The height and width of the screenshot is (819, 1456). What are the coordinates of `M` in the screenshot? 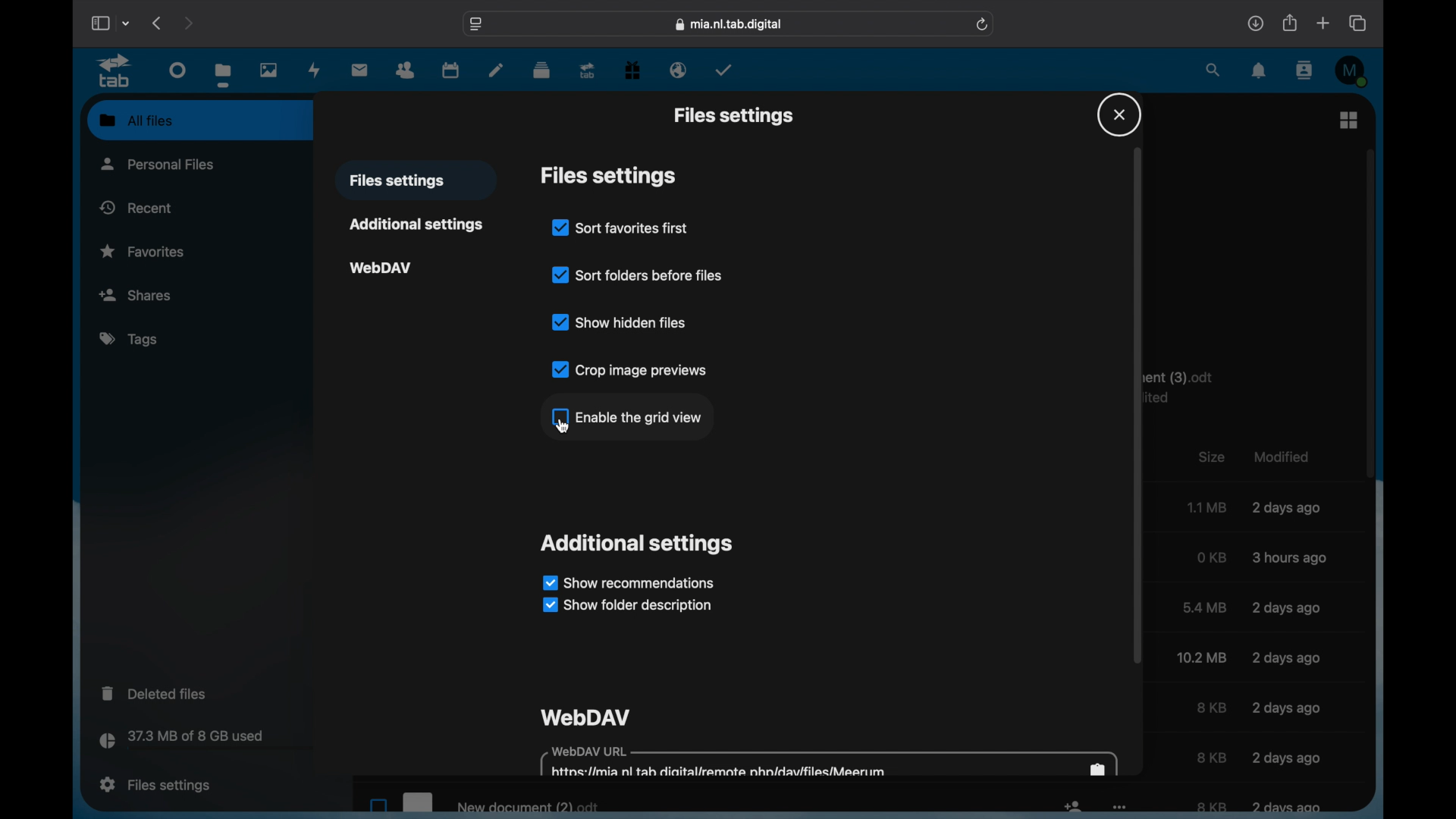 It's located at (1352, 71).